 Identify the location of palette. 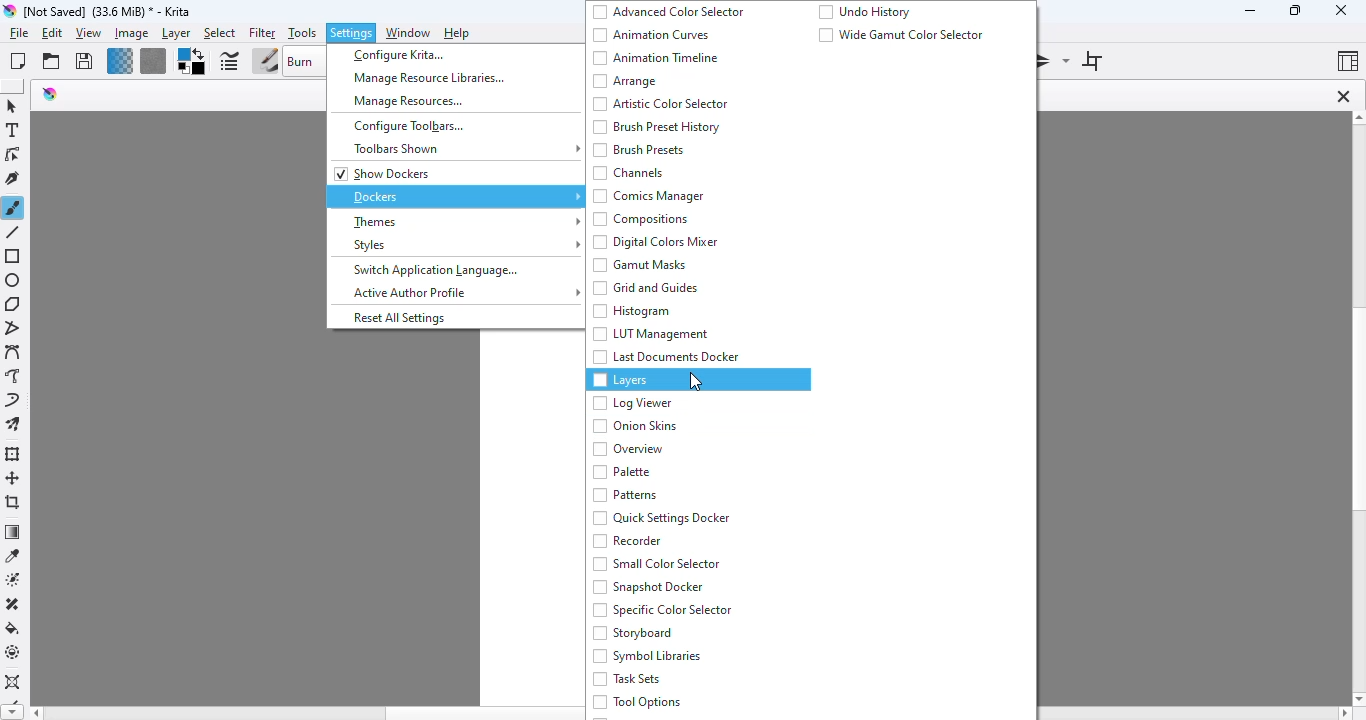
(622, 472).